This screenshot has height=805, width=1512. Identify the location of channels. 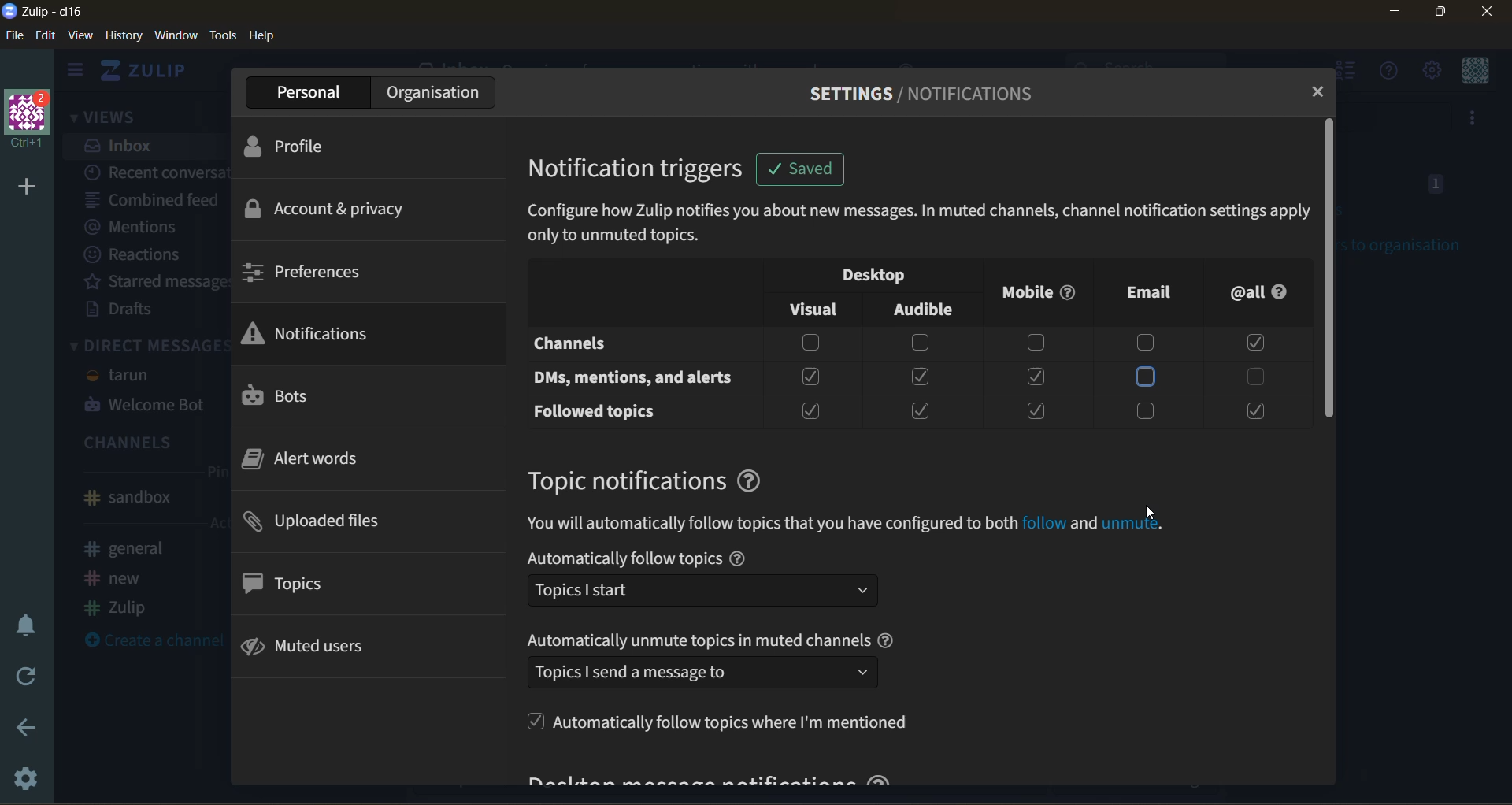
(582, 344).